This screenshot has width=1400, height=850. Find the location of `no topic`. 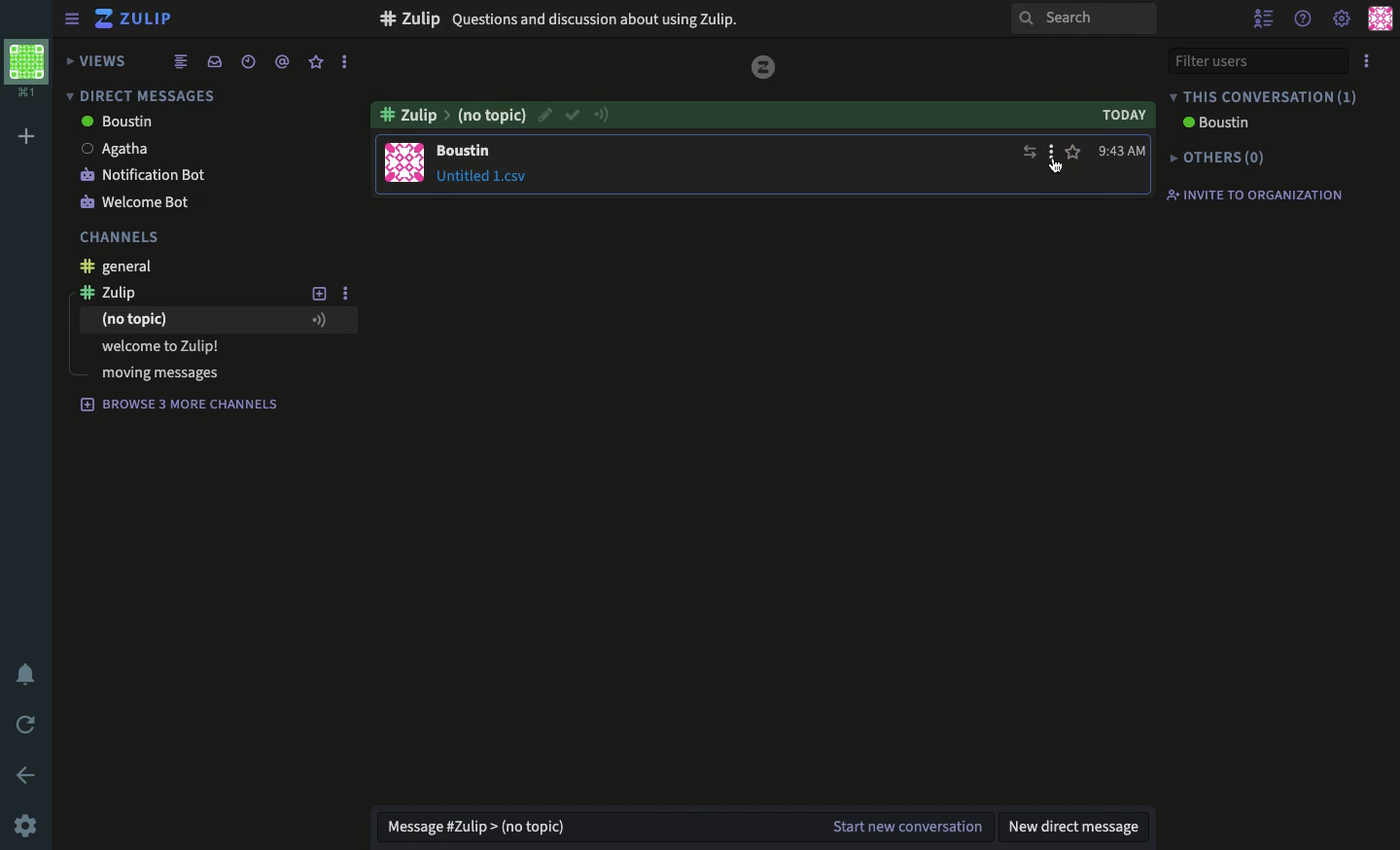

no topic is located at coordinates (216, 321).